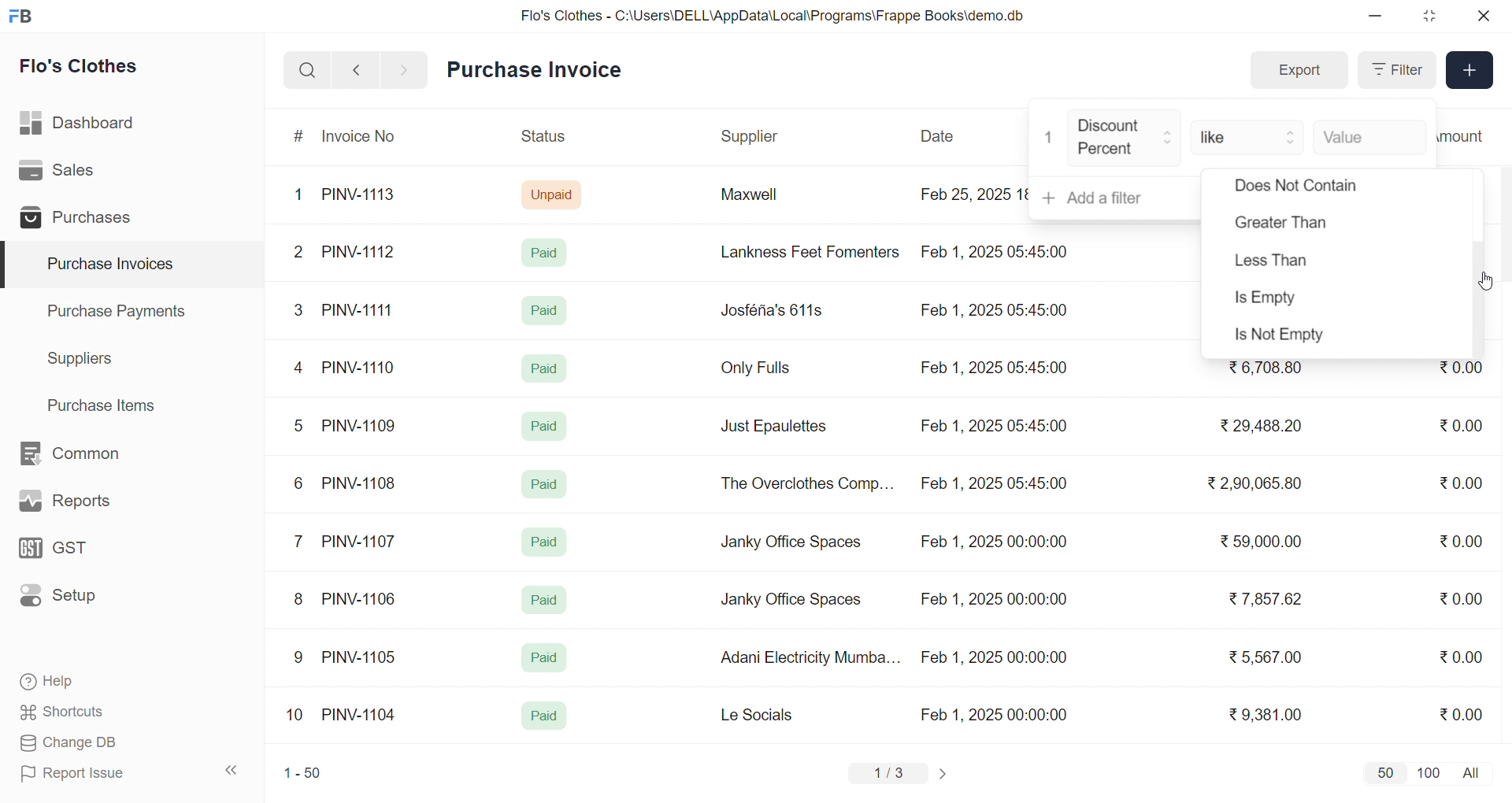 Image resolution: width=1512 pixels, height=803 pixels. Describe the element at coordinates (365, 599) in the screenshot. I see `PINV-1106` at that location.